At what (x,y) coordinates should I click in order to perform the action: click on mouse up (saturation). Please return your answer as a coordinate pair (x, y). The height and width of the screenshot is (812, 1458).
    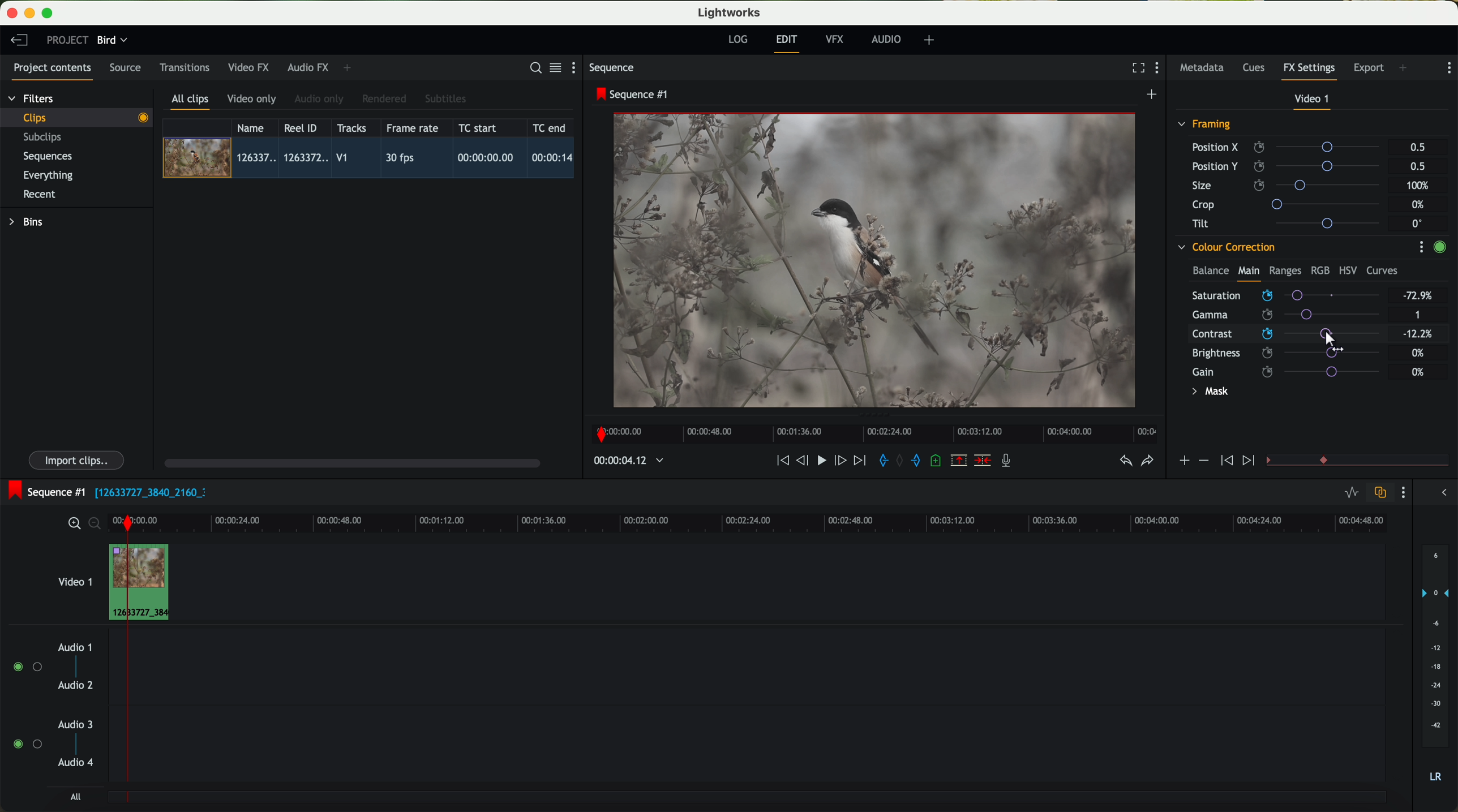
    Looking at the image, I should click on (1285, 293).